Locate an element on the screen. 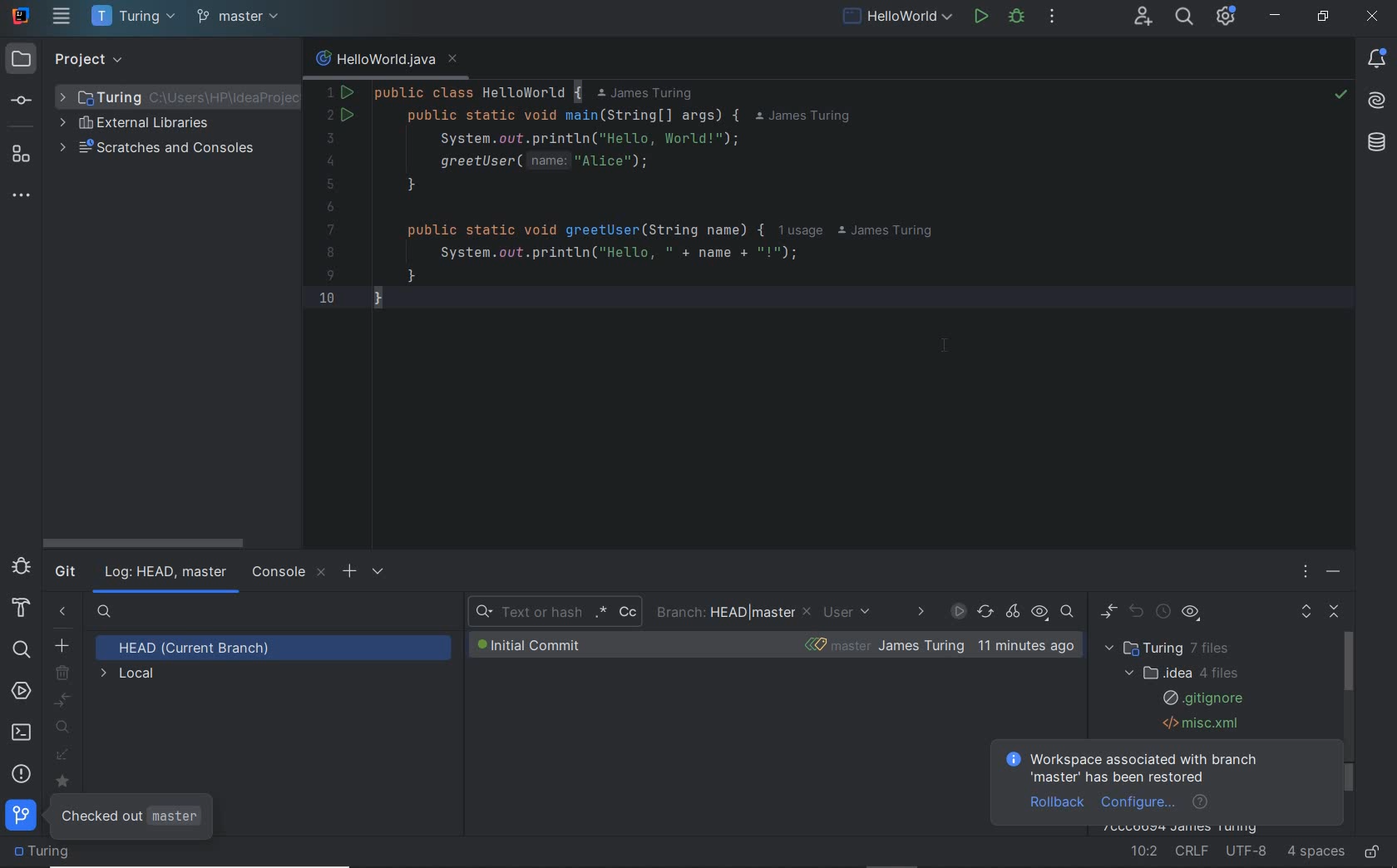 Image resolution: width=1397 pixels, height=868 pixels. structure is located at coordinates (22, 155).